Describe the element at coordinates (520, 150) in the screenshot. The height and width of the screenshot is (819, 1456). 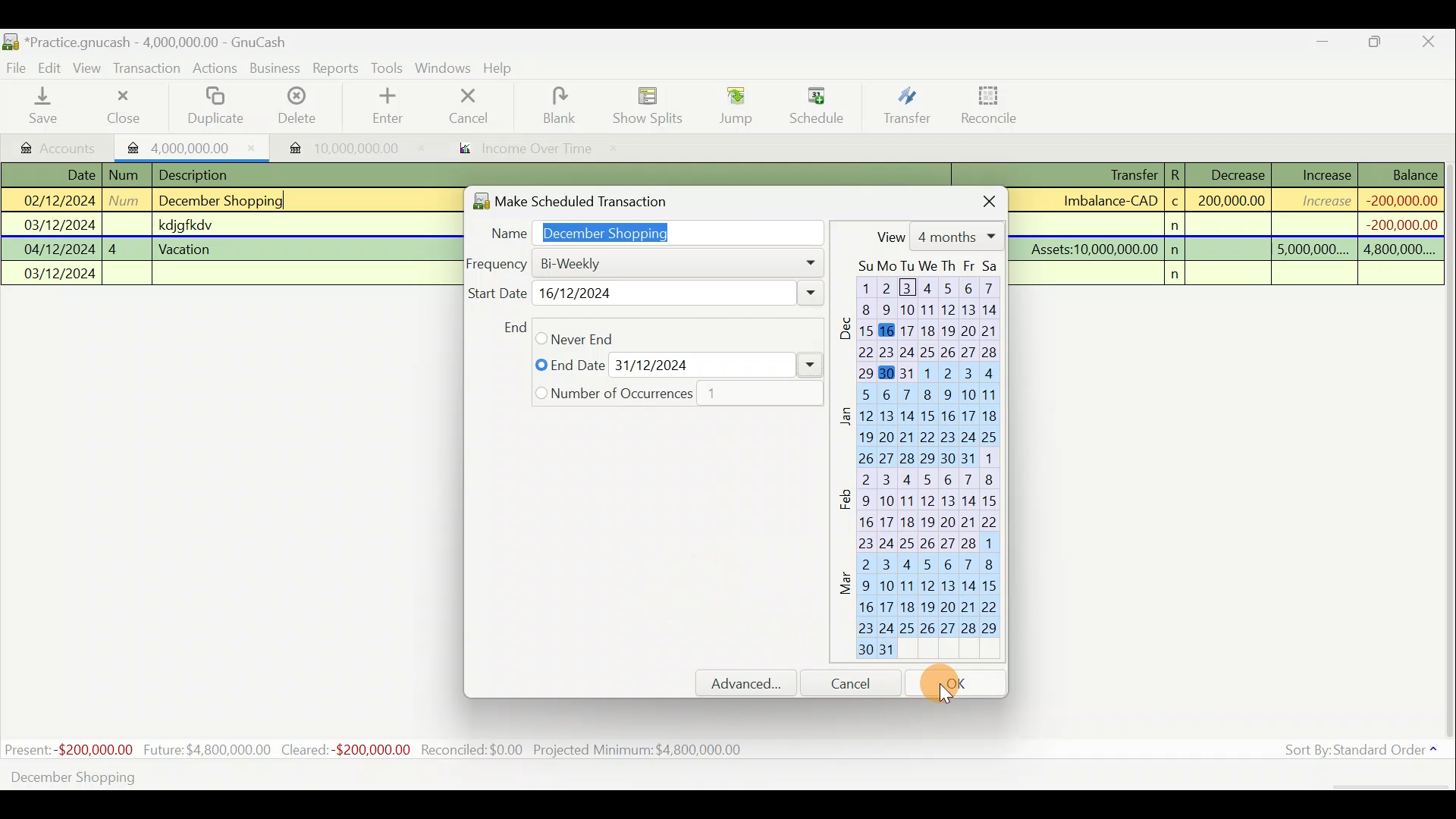
I see `Report` at that location.